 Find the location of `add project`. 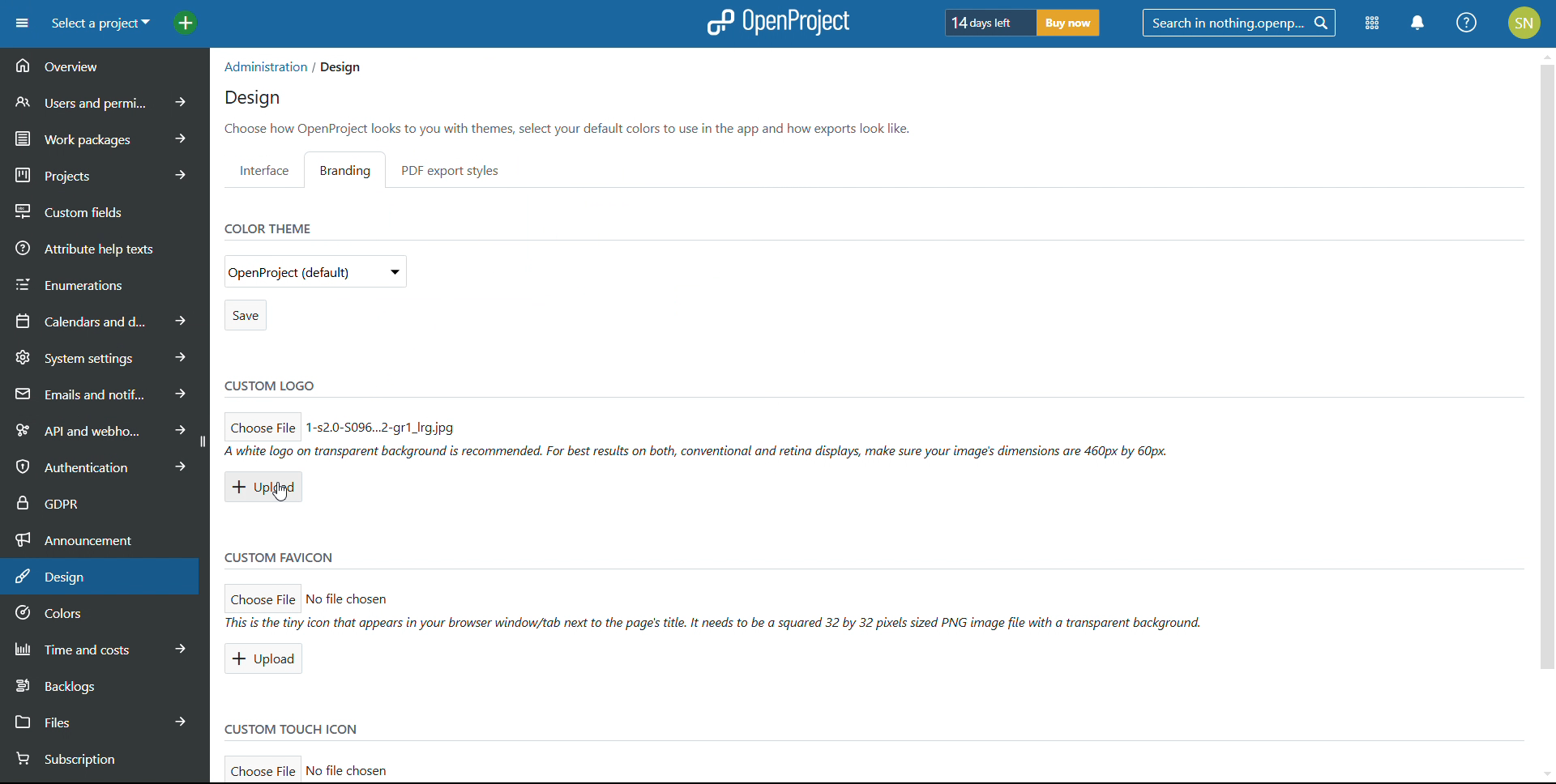

add project is located at coordinates (186, 23).